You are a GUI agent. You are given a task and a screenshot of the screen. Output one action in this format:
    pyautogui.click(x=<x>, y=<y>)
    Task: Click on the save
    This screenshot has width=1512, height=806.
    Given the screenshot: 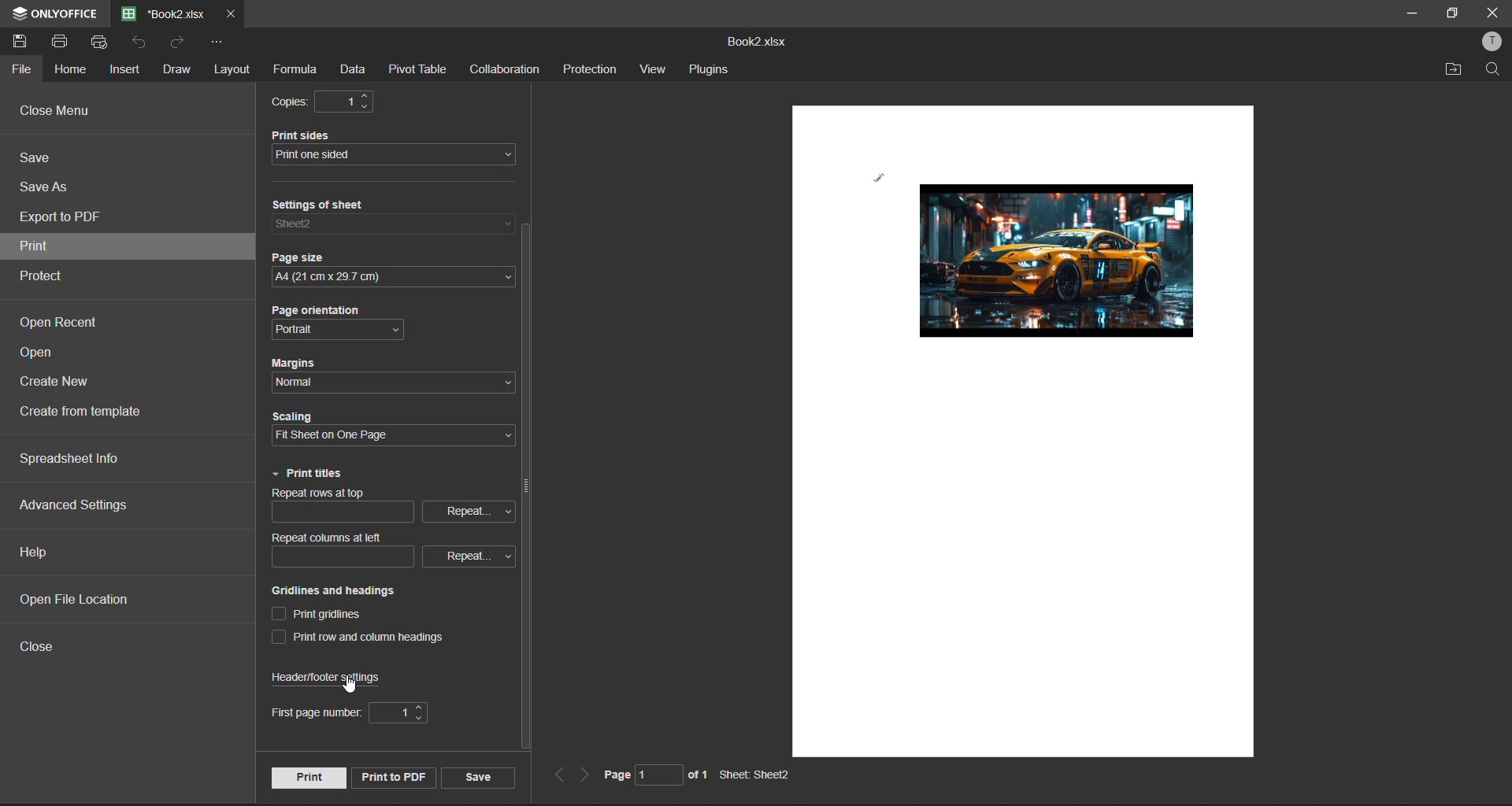 What is the action you would take?
    pyautogui.click(x=39, y=161)
    